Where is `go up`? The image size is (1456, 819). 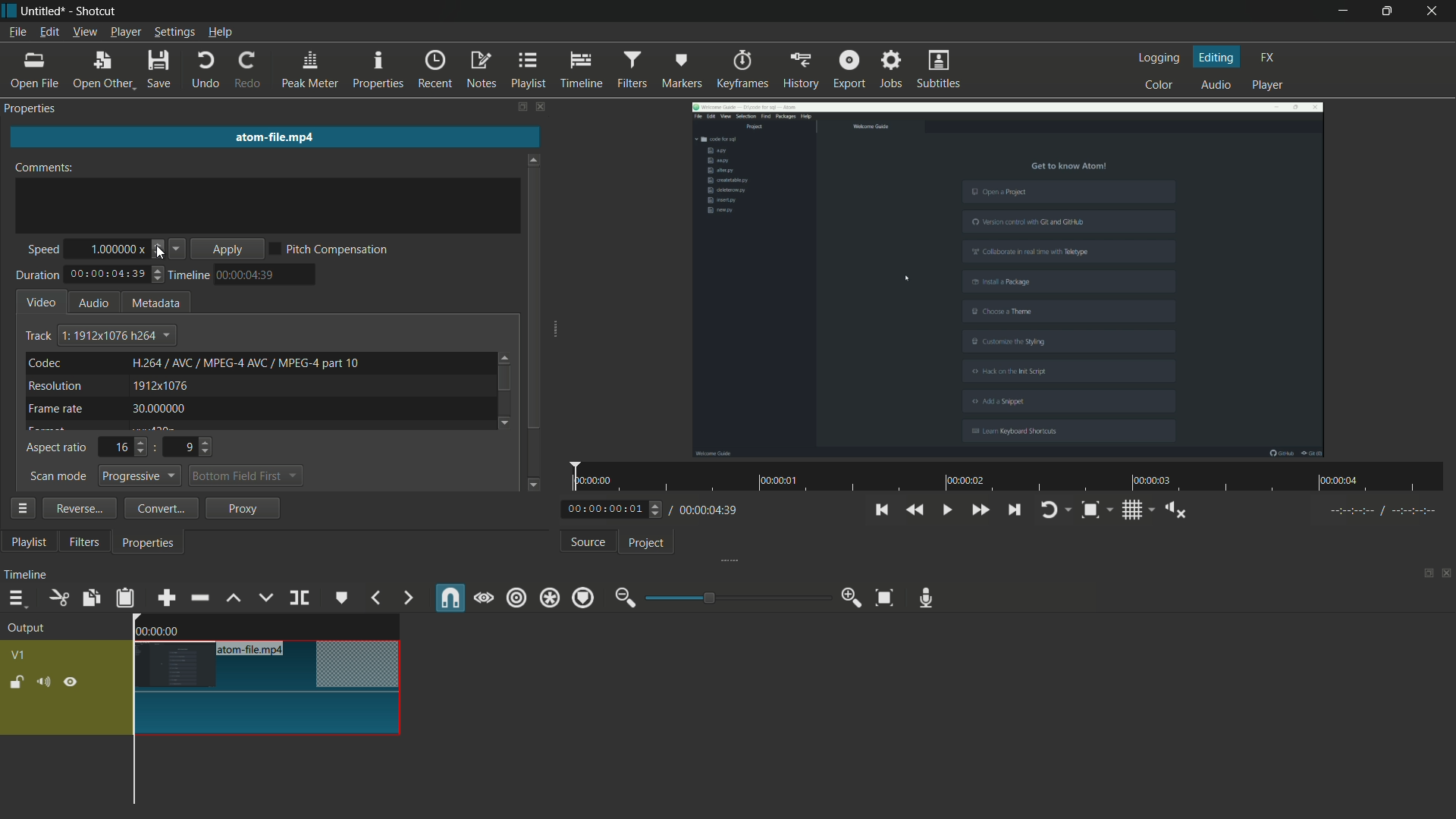
go up is located at coordinates (506, 355).